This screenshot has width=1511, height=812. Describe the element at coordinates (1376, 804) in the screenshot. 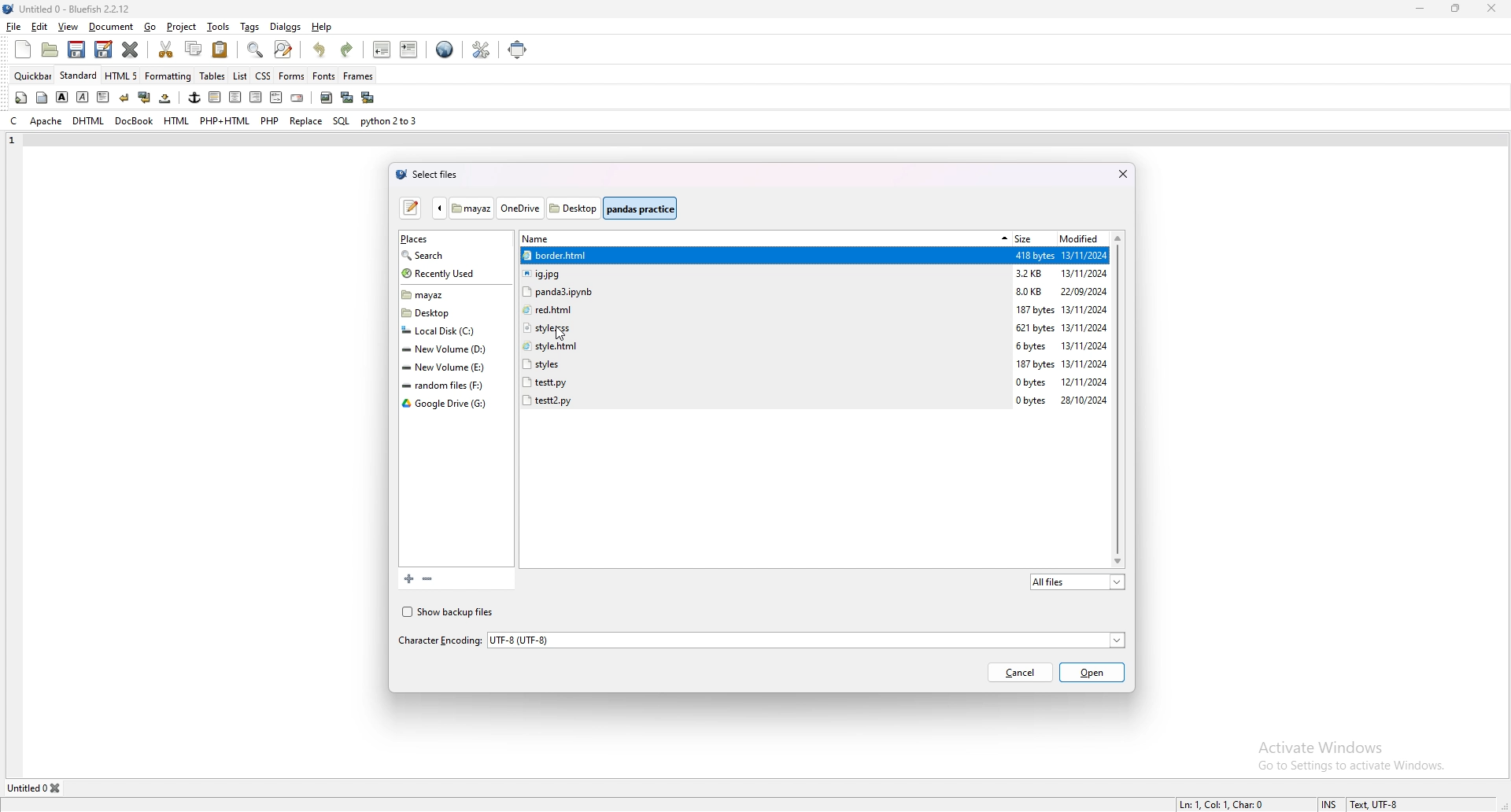

I see `Text, UTF-8` at that location.